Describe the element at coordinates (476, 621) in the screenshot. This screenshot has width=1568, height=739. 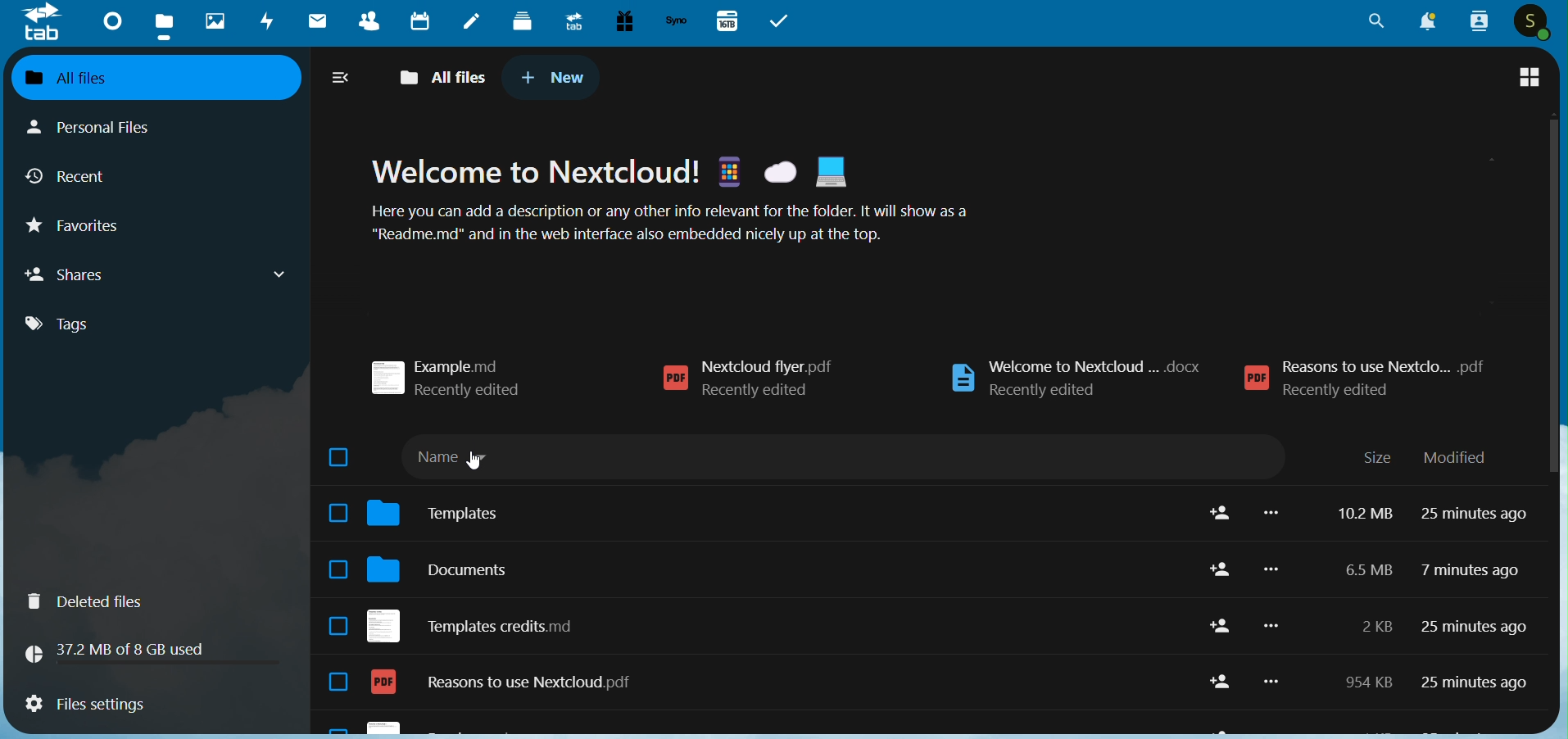
I see `templates credits.md` at that location.